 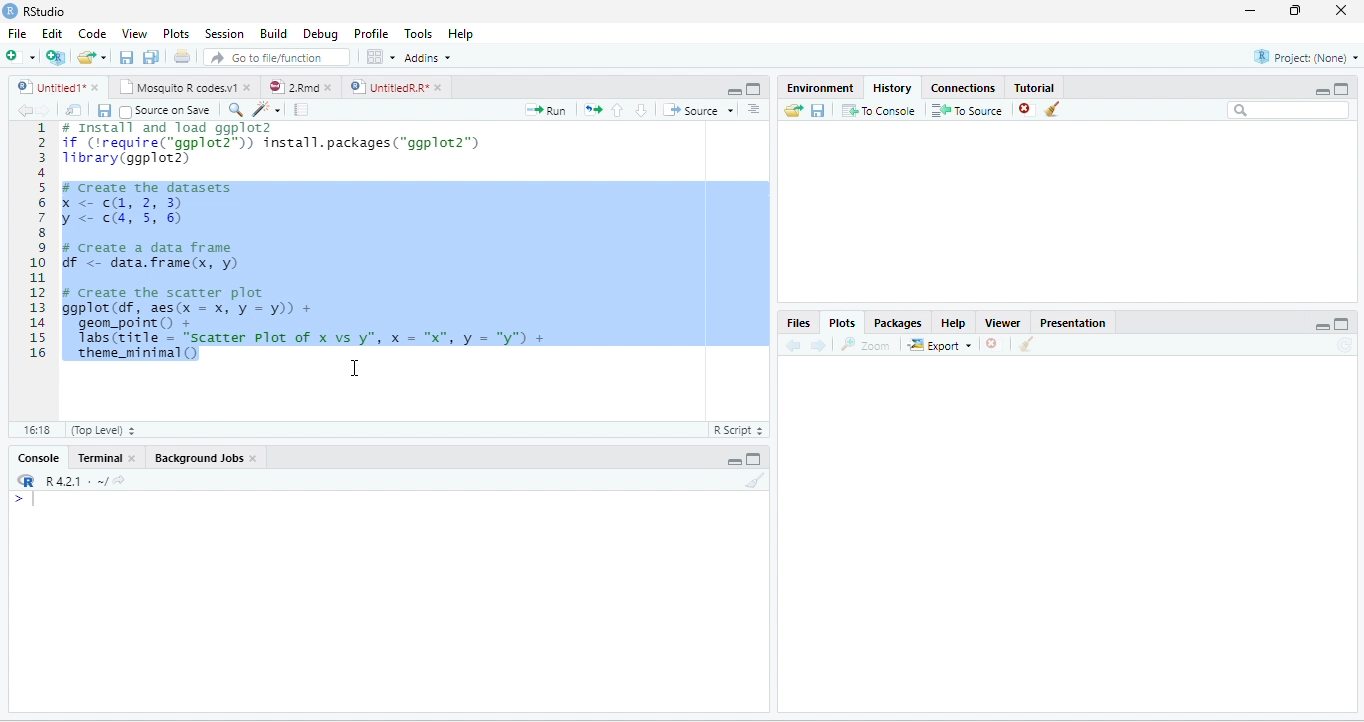 I want to click on close, so click(x=131, y=458).